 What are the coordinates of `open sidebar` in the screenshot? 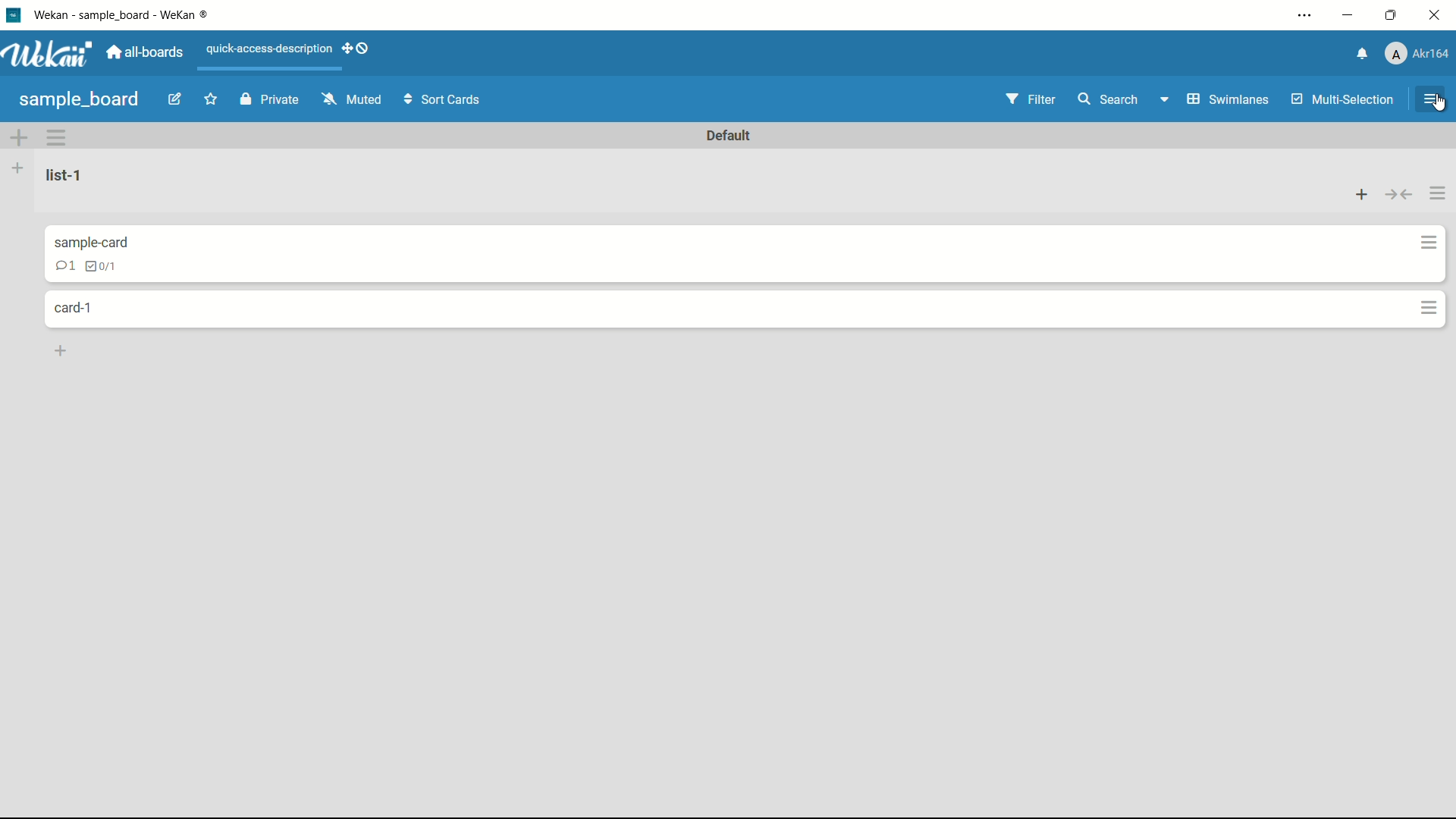 It's located at (1432, 100).